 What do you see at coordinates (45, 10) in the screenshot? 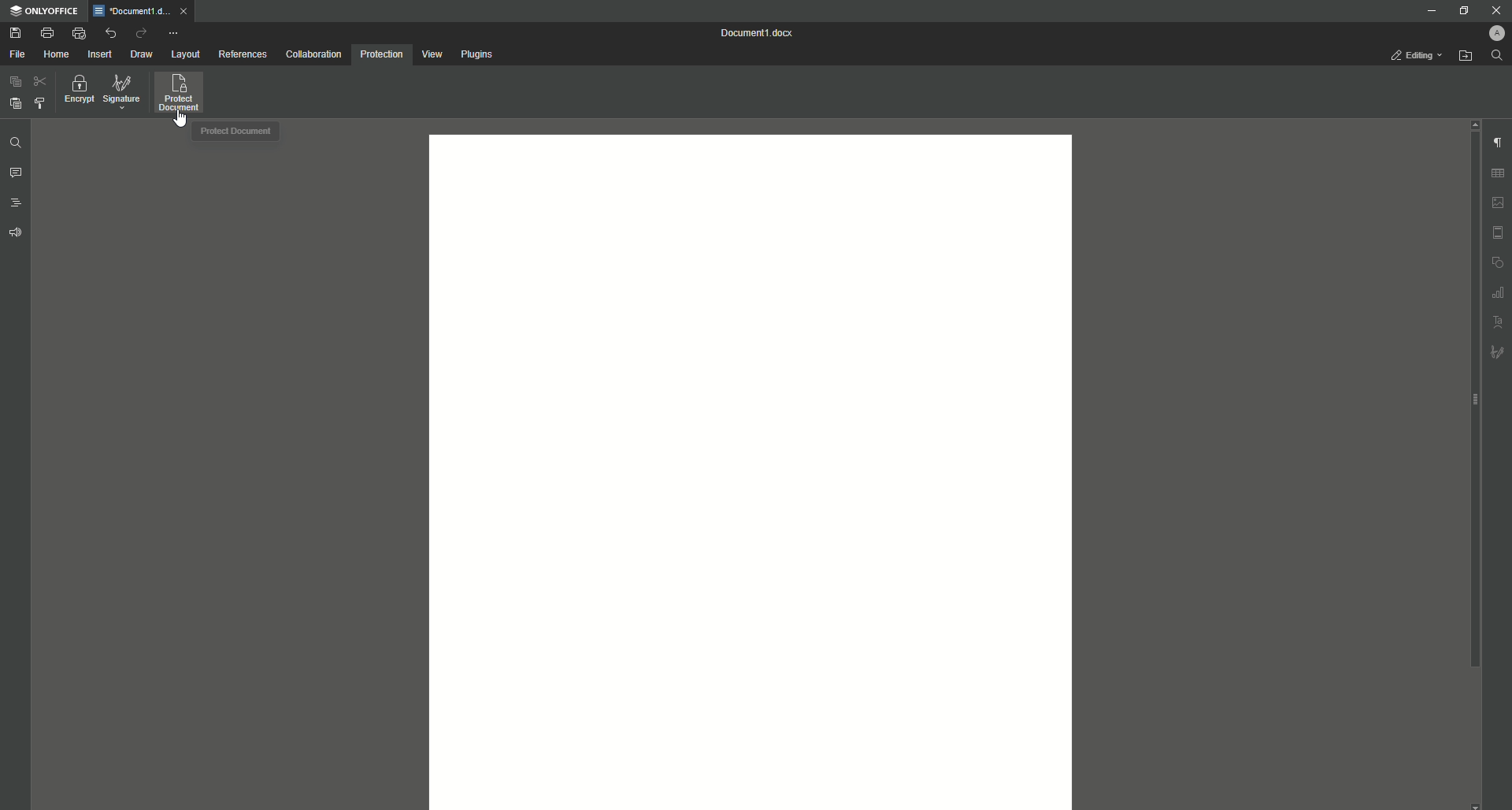
I see `ONLYOFFICE` at bounding box center [45, 10].